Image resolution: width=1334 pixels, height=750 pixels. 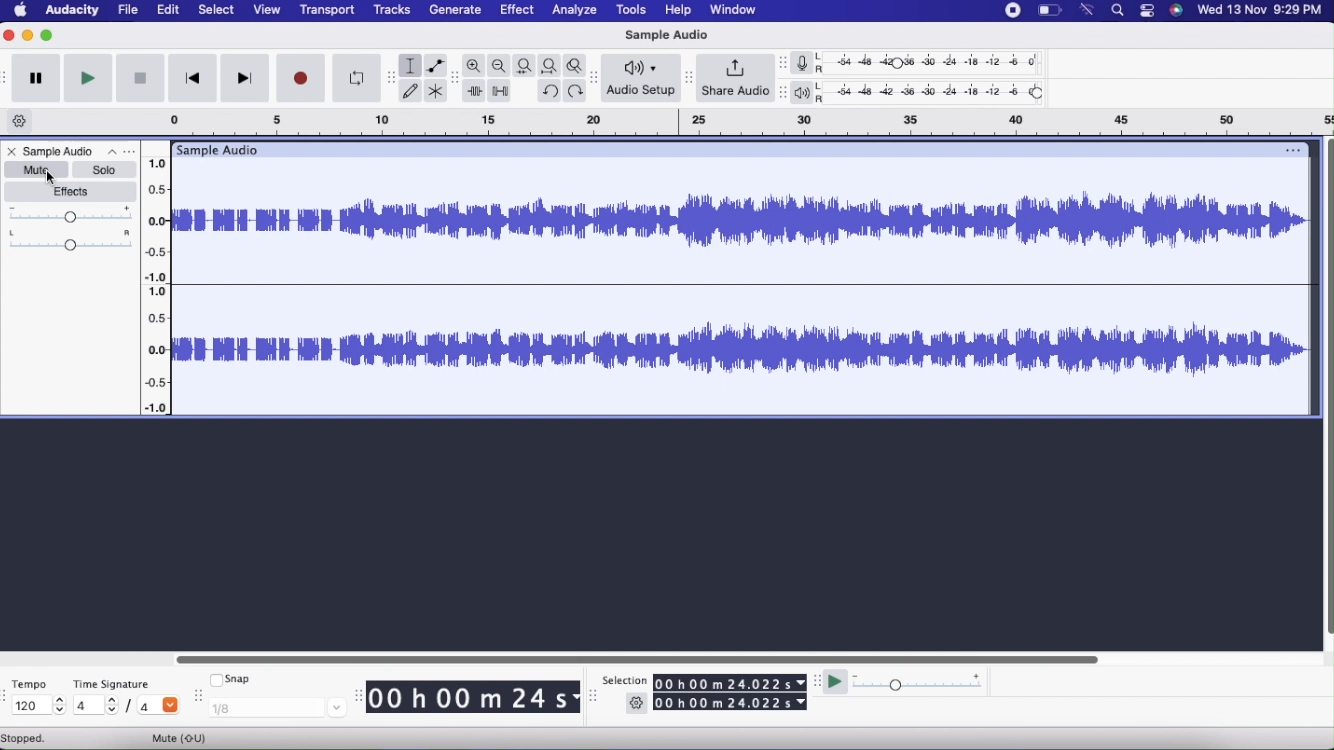 I want to click on View, so click(x=268, y=10).